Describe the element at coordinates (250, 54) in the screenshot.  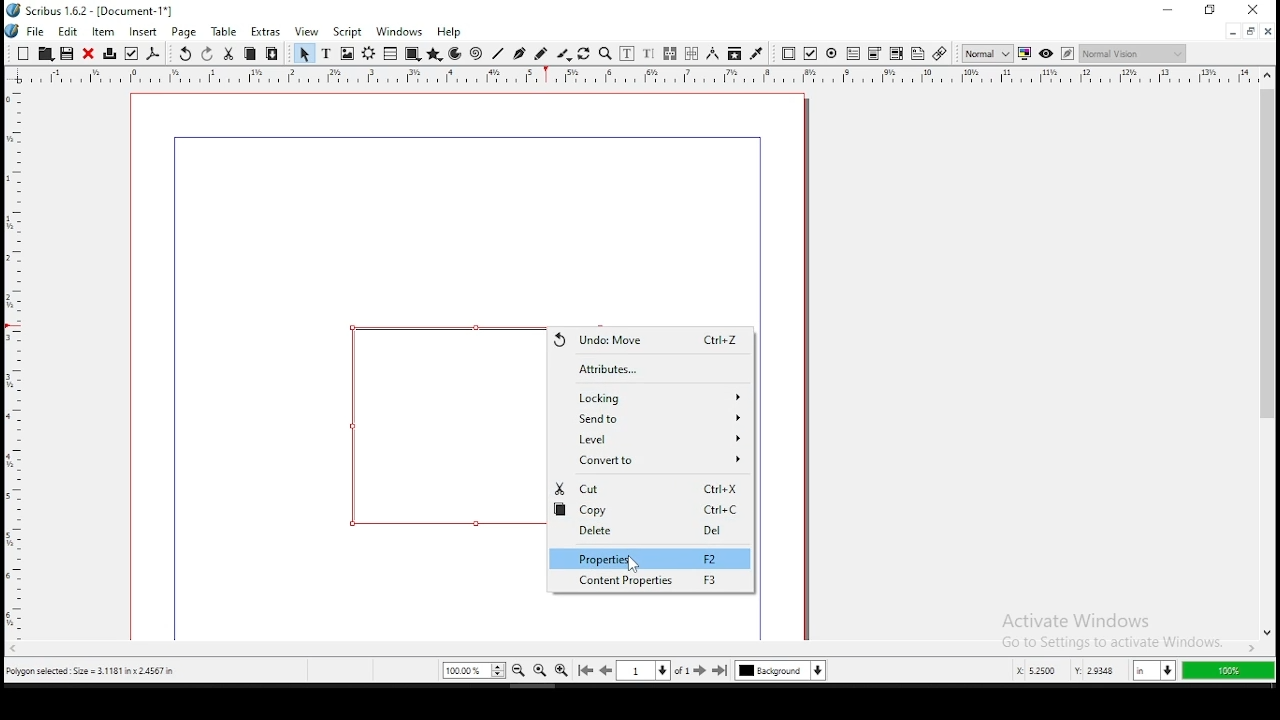
I see `copy` at that location.